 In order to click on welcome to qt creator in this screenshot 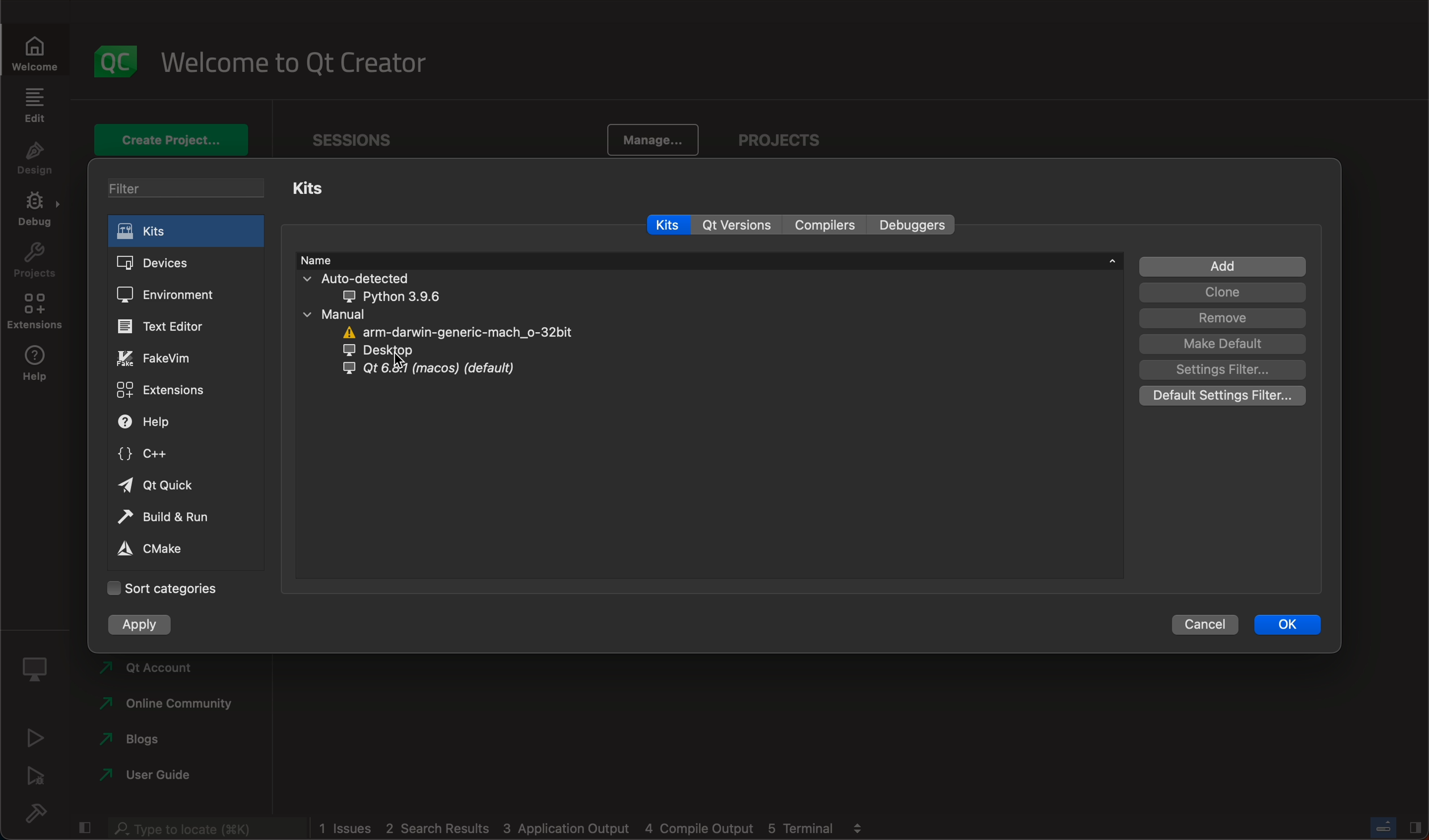, I will do `click(290, 60)`.